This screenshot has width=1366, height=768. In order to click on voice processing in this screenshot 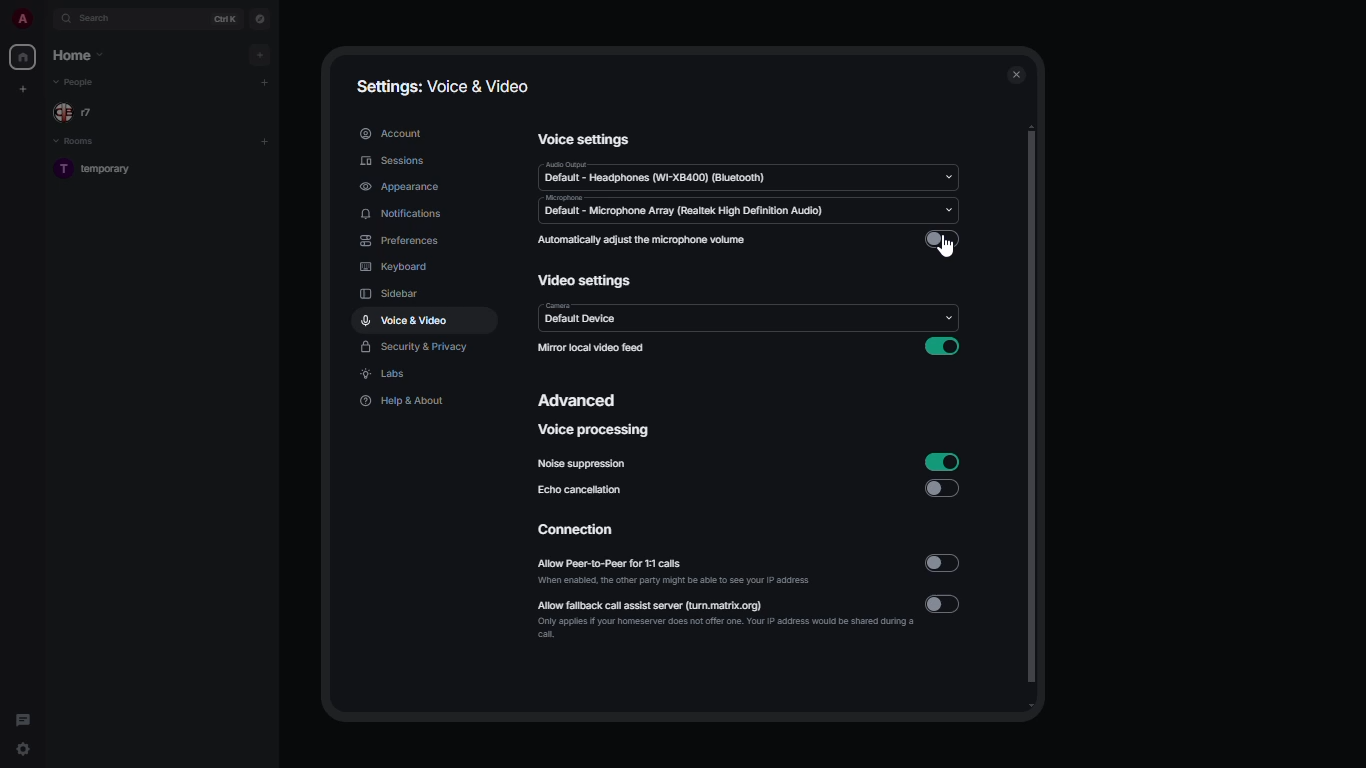, I will do `click(595, 430)`.